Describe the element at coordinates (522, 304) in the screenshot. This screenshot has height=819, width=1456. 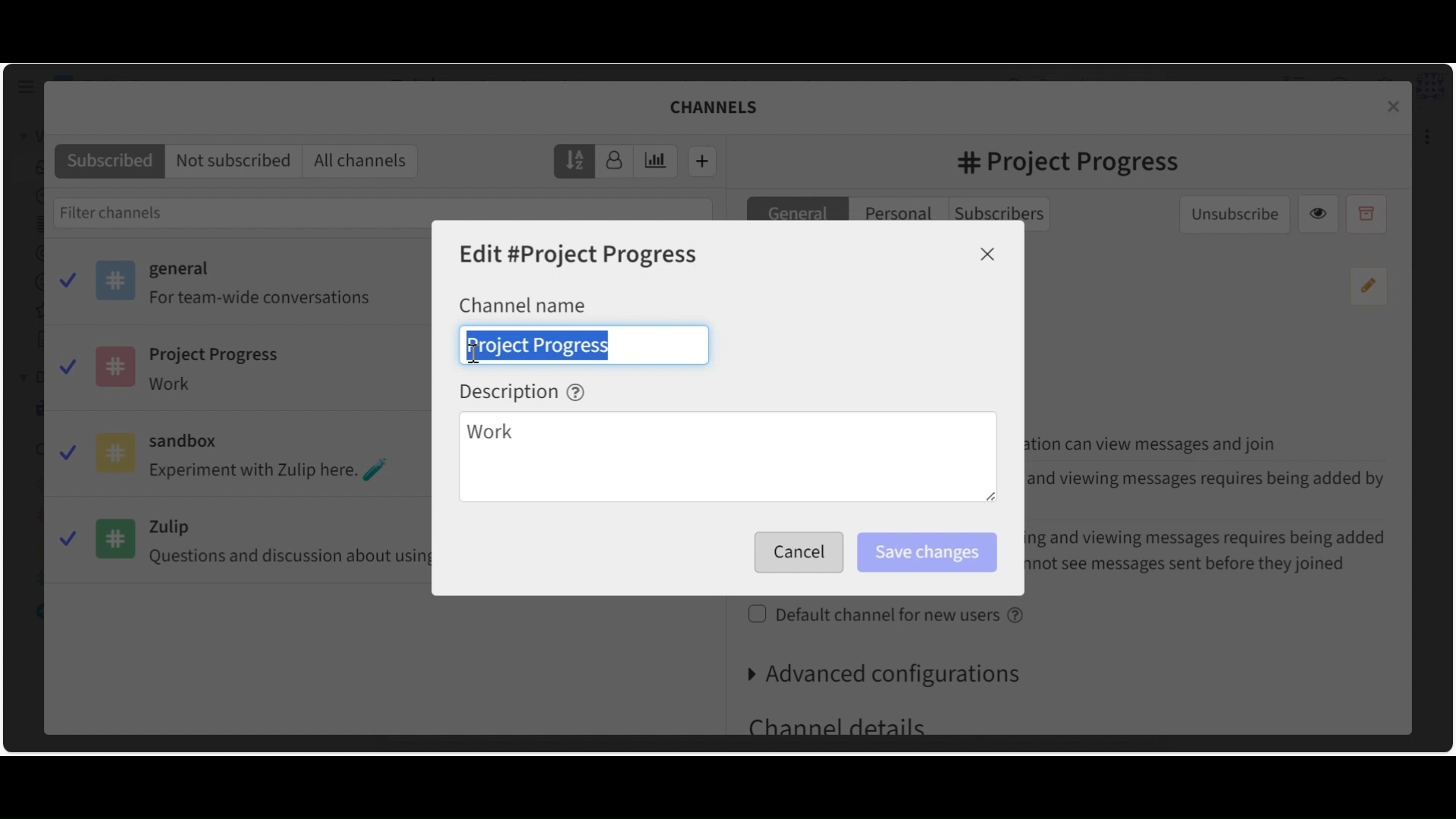
I see `Channel Name` at that location.